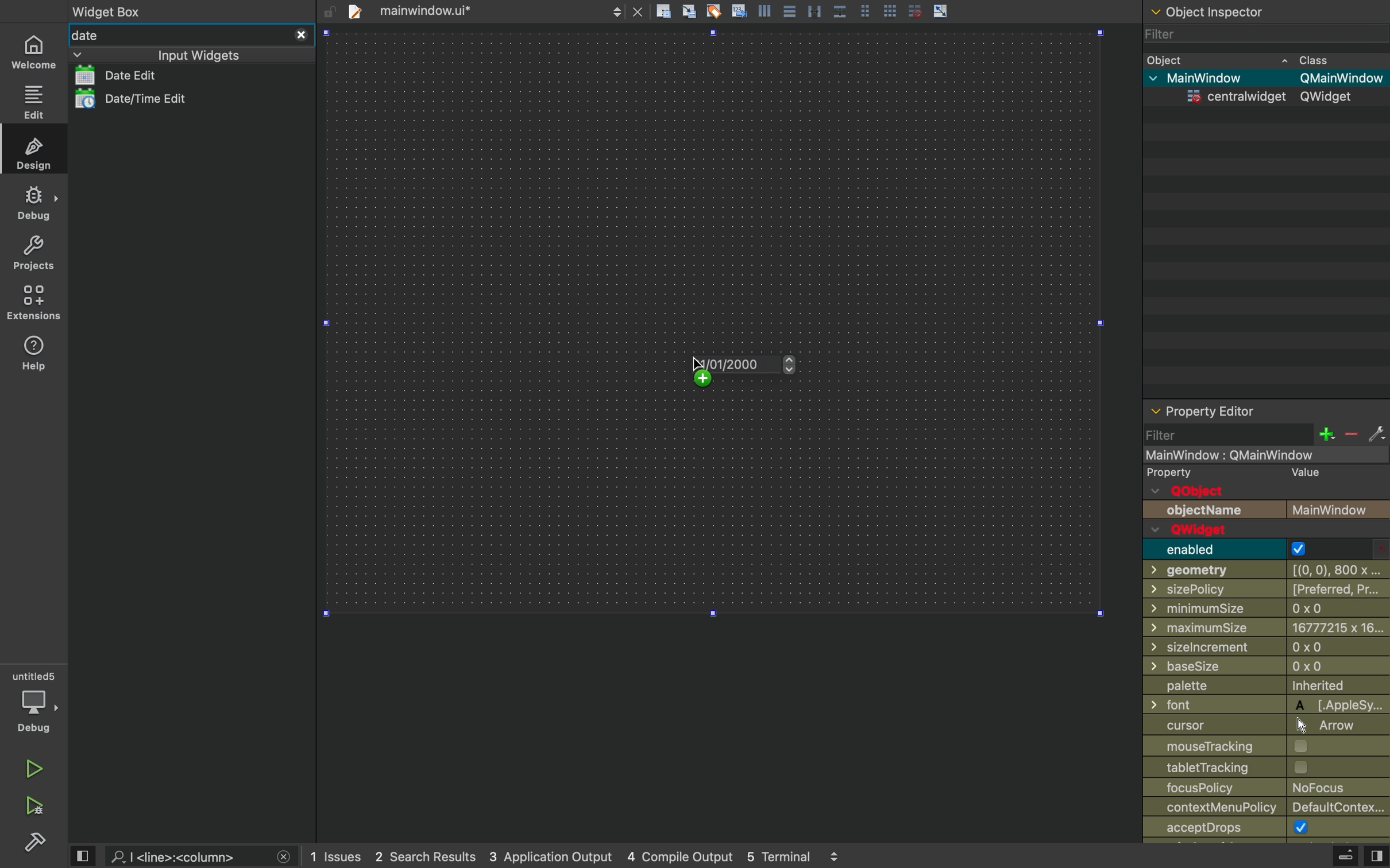  I want to click on mainwindow, so click(1264, 455).